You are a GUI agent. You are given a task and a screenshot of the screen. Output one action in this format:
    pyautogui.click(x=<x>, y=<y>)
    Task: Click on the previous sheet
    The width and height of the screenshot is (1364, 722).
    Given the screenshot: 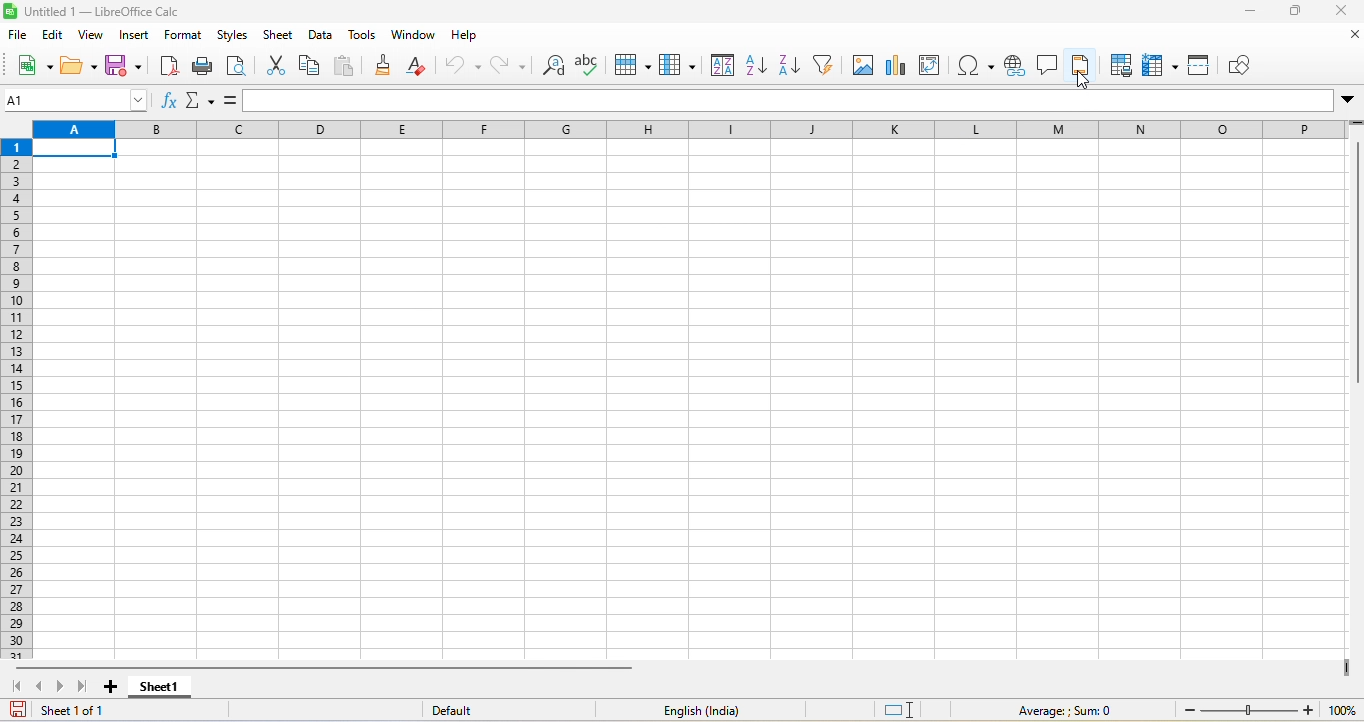 What is the action you would take?
    pyautogui.click(x=42, y=687)
    